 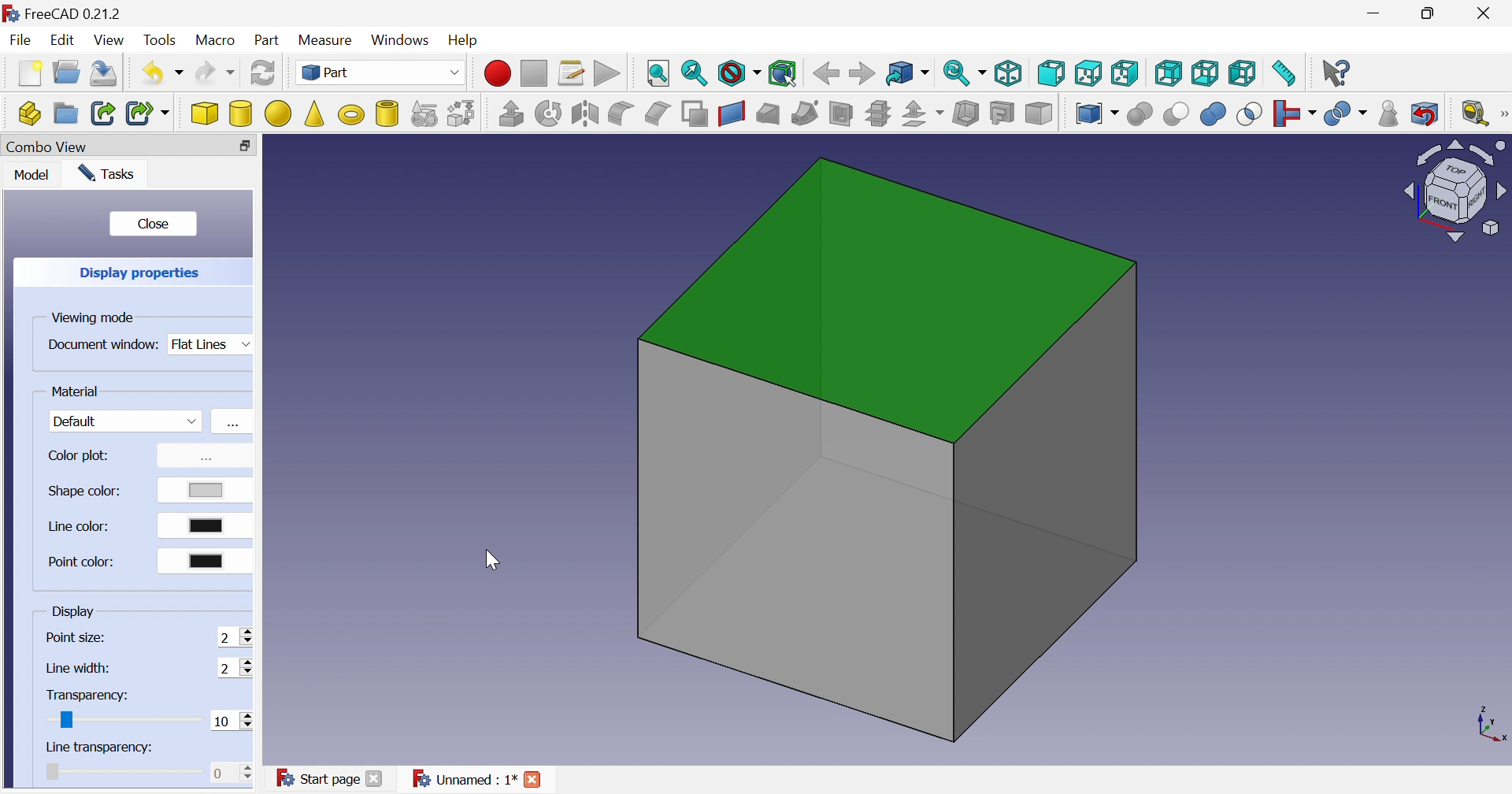 What do you see at coordinates (67, 72) in the screenshot?
I see `Open` at bounding box center [67, 72].